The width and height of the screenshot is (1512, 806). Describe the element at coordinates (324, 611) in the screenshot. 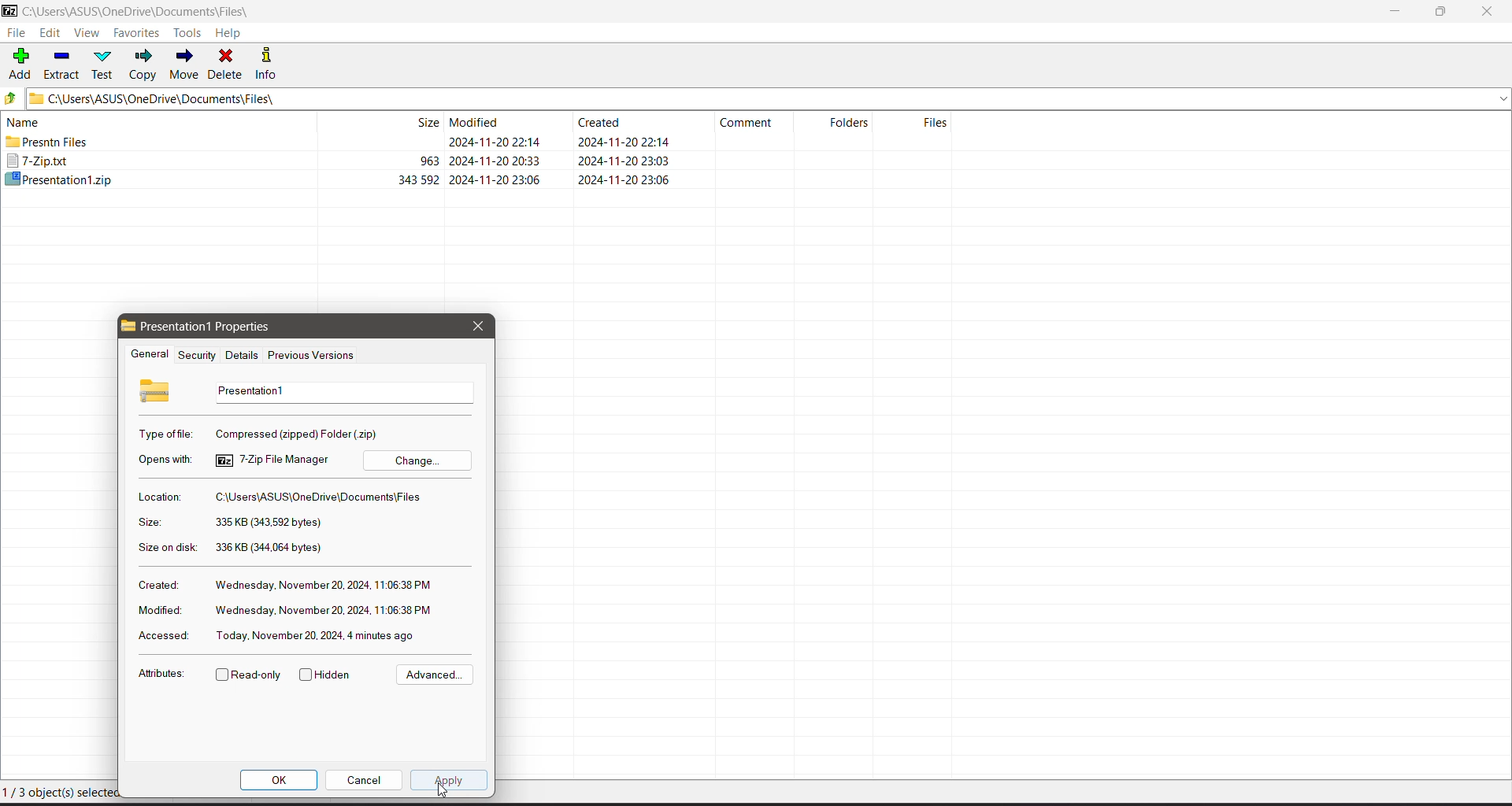

I see `Modified Day, Date, Year and time` at that location.